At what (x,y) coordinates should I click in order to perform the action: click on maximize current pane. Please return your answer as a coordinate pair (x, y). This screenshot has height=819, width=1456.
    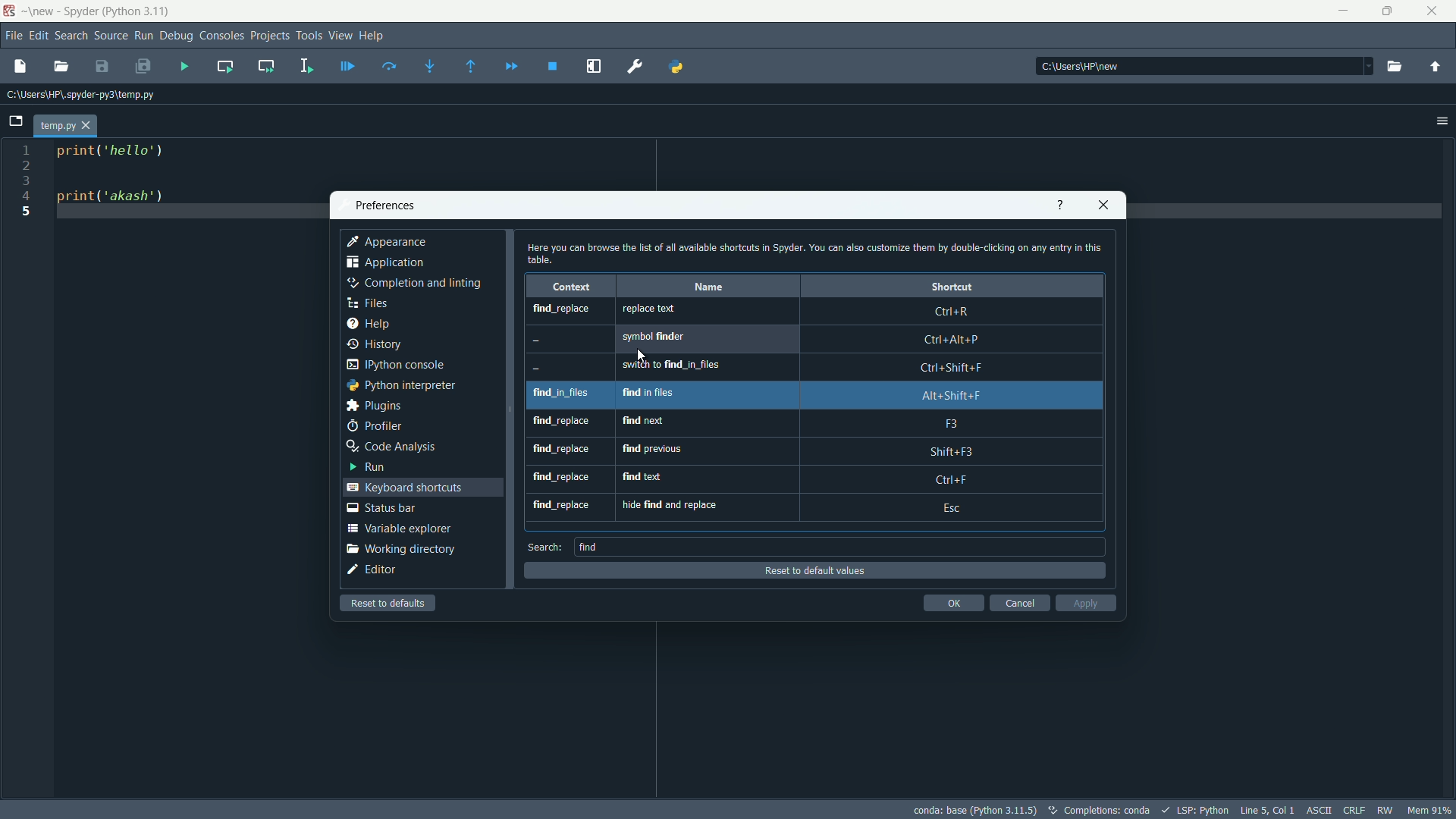
    Looking at the image, I should click on (595, 67).